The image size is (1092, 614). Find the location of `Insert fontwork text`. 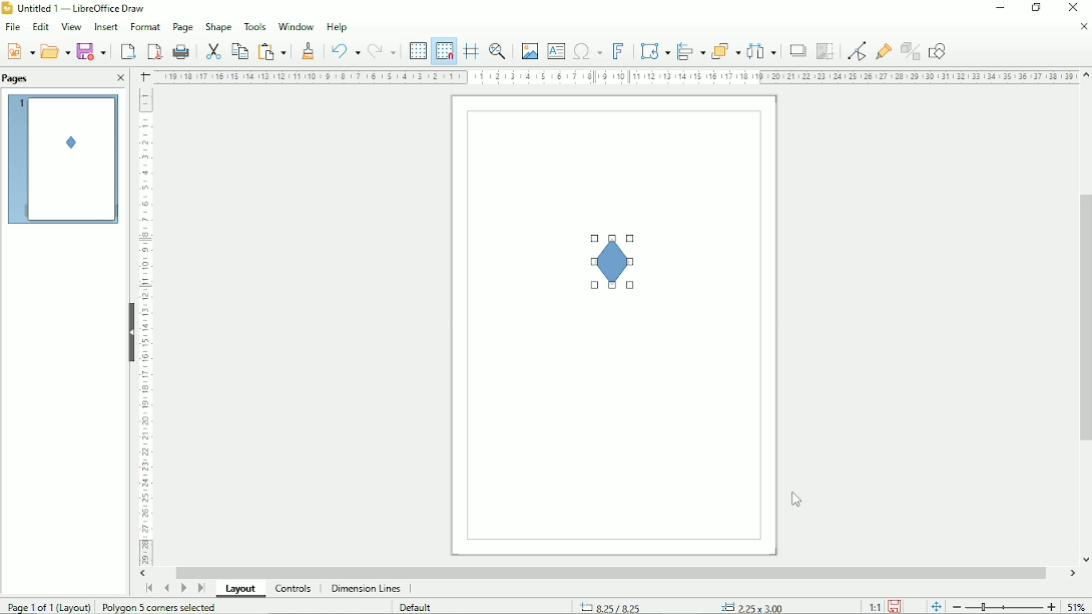

Insert fontwork text is located at coordinates (618, 50).